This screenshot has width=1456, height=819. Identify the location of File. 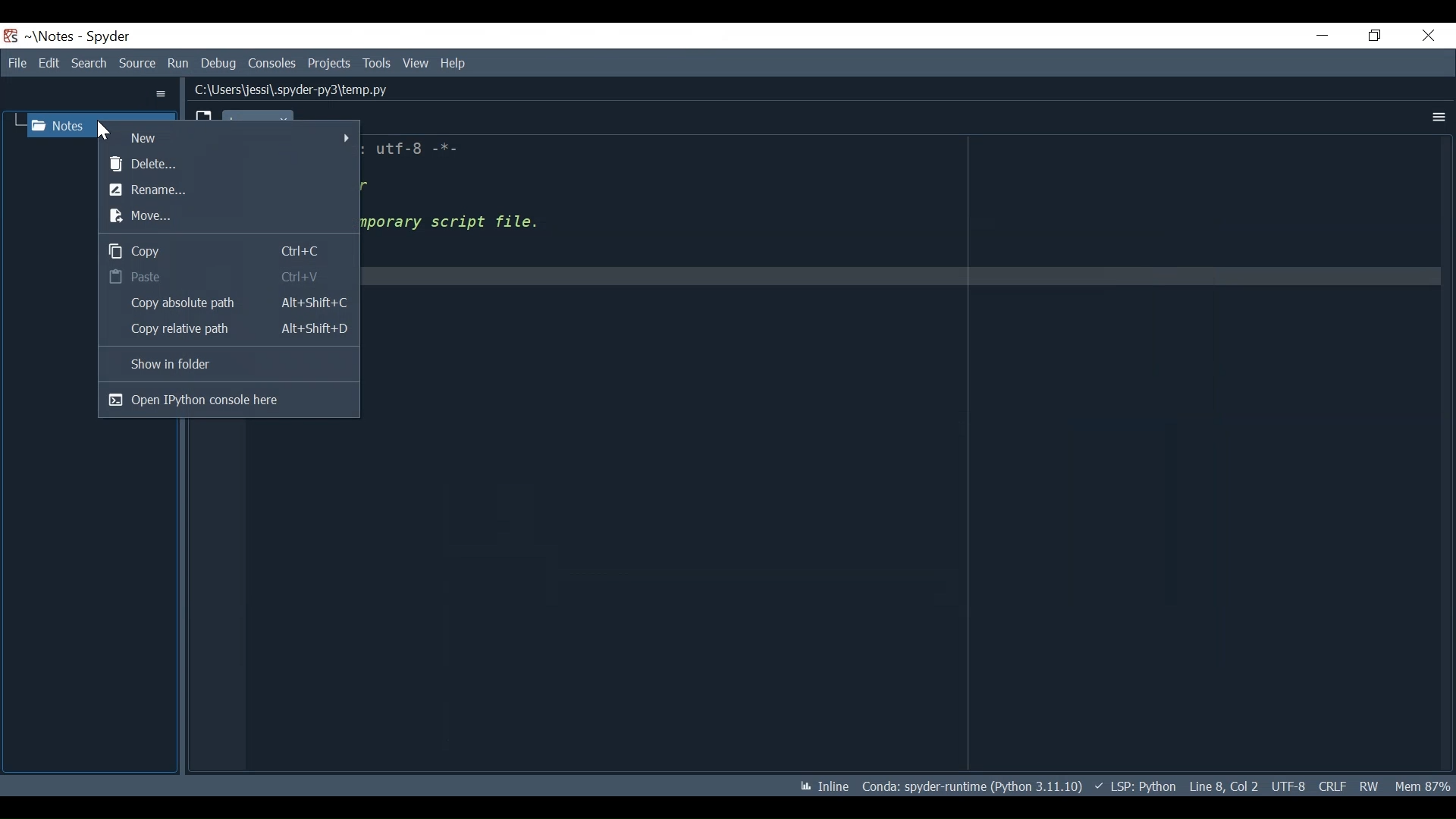
(16, 63).